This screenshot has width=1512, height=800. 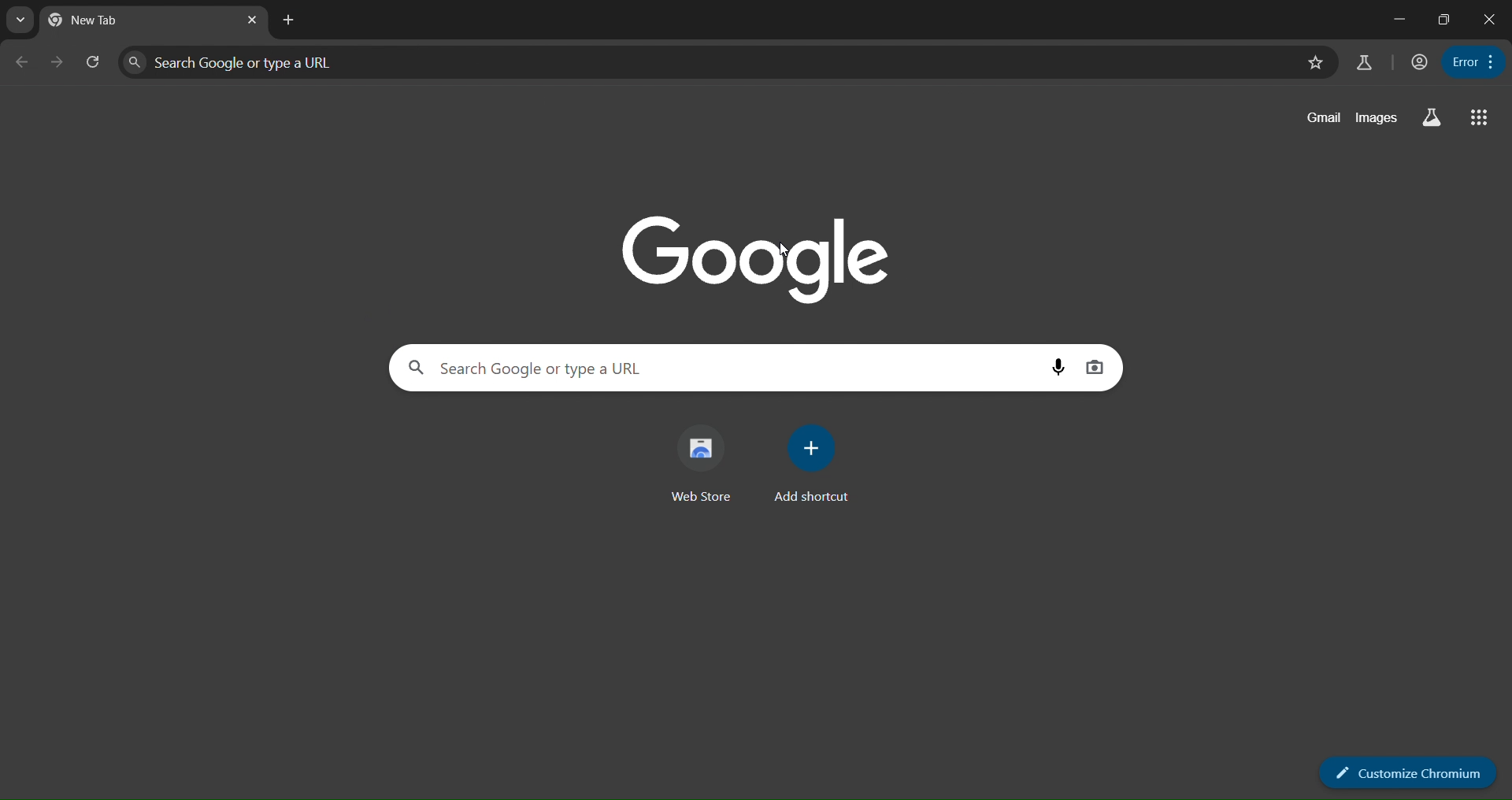 I want to click on new tab, so click(x=102, y=20).